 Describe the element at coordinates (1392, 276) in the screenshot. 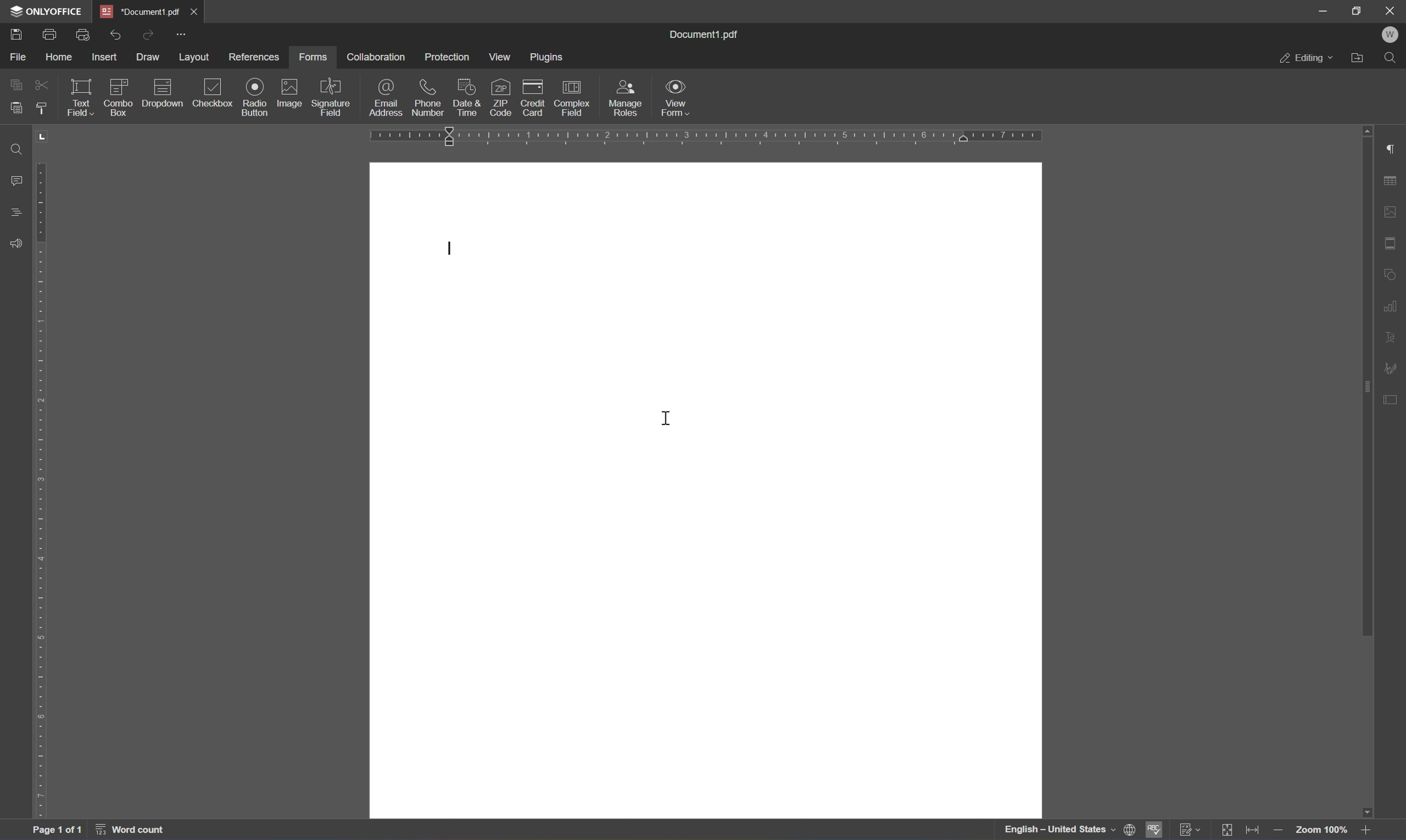

I see `shape settings` at that location.